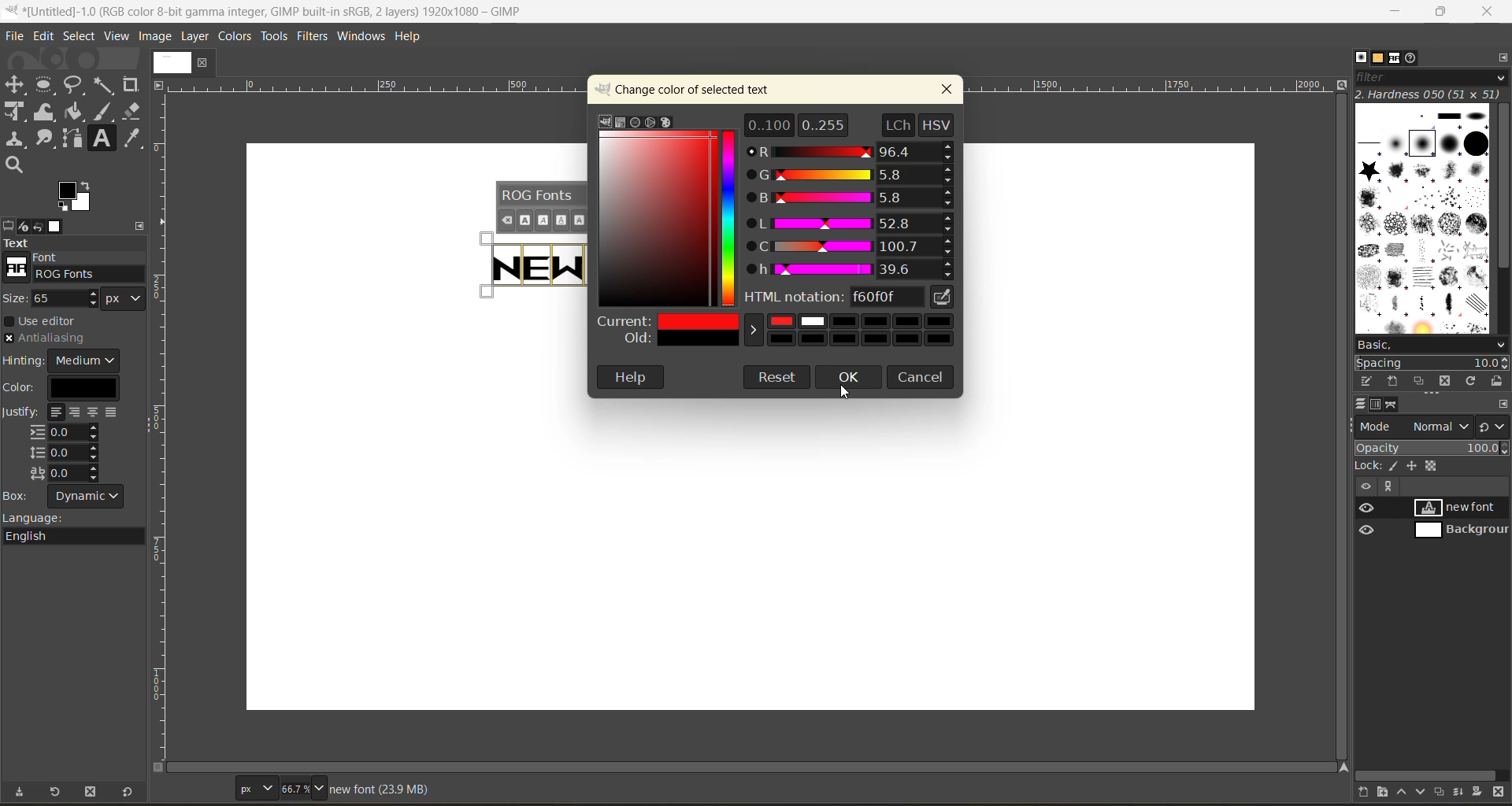  Describe the element at coordinates (41, 35) in the screenshot. I see `edit` at that location.